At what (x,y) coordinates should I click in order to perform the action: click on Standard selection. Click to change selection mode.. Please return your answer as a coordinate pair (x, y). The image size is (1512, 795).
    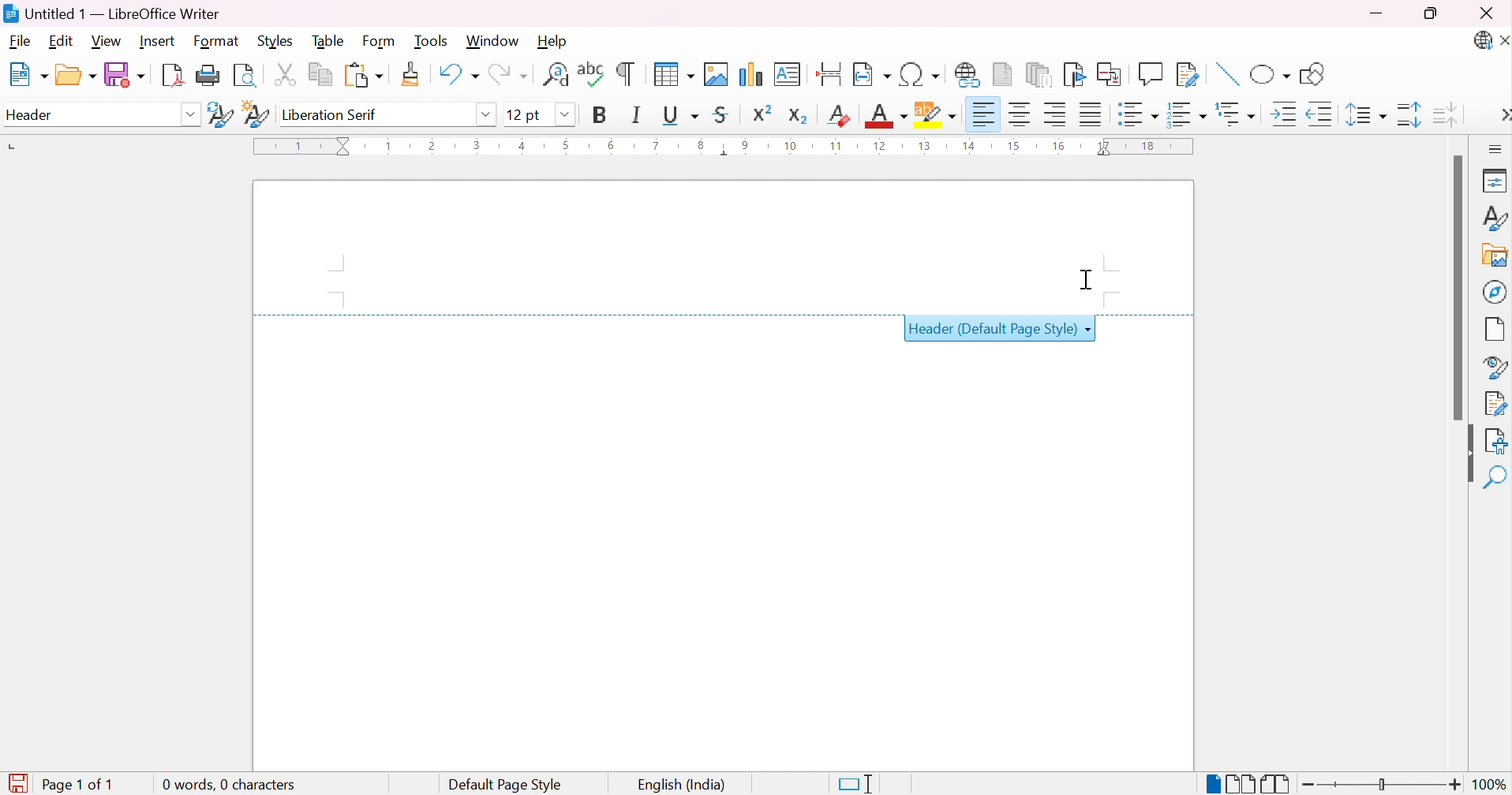
    Looking at the image, I should click on (853, 785).